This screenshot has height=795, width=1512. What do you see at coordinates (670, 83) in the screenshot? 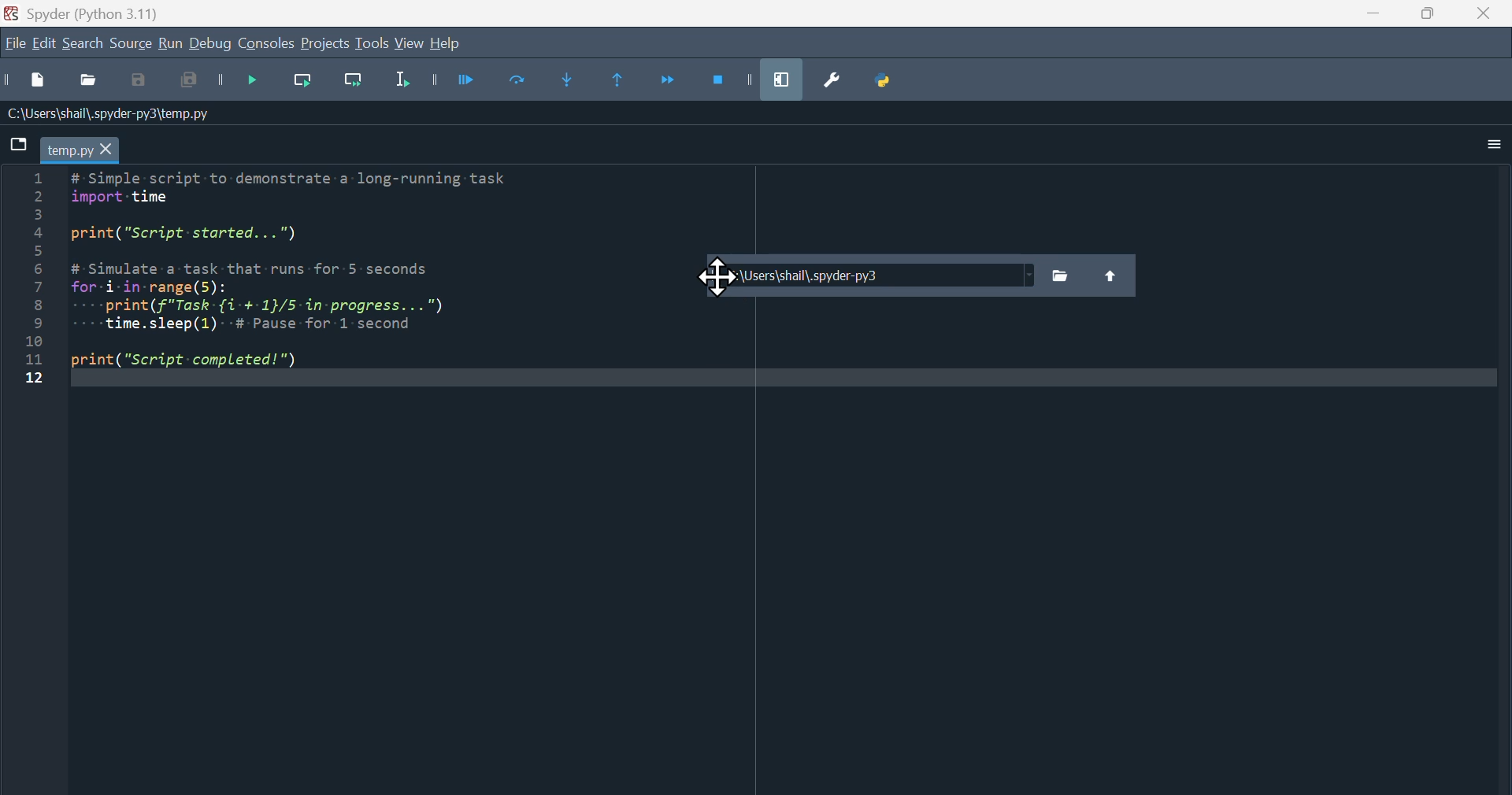
I see `Continue execution until next function` at bounding box center [670, 83].